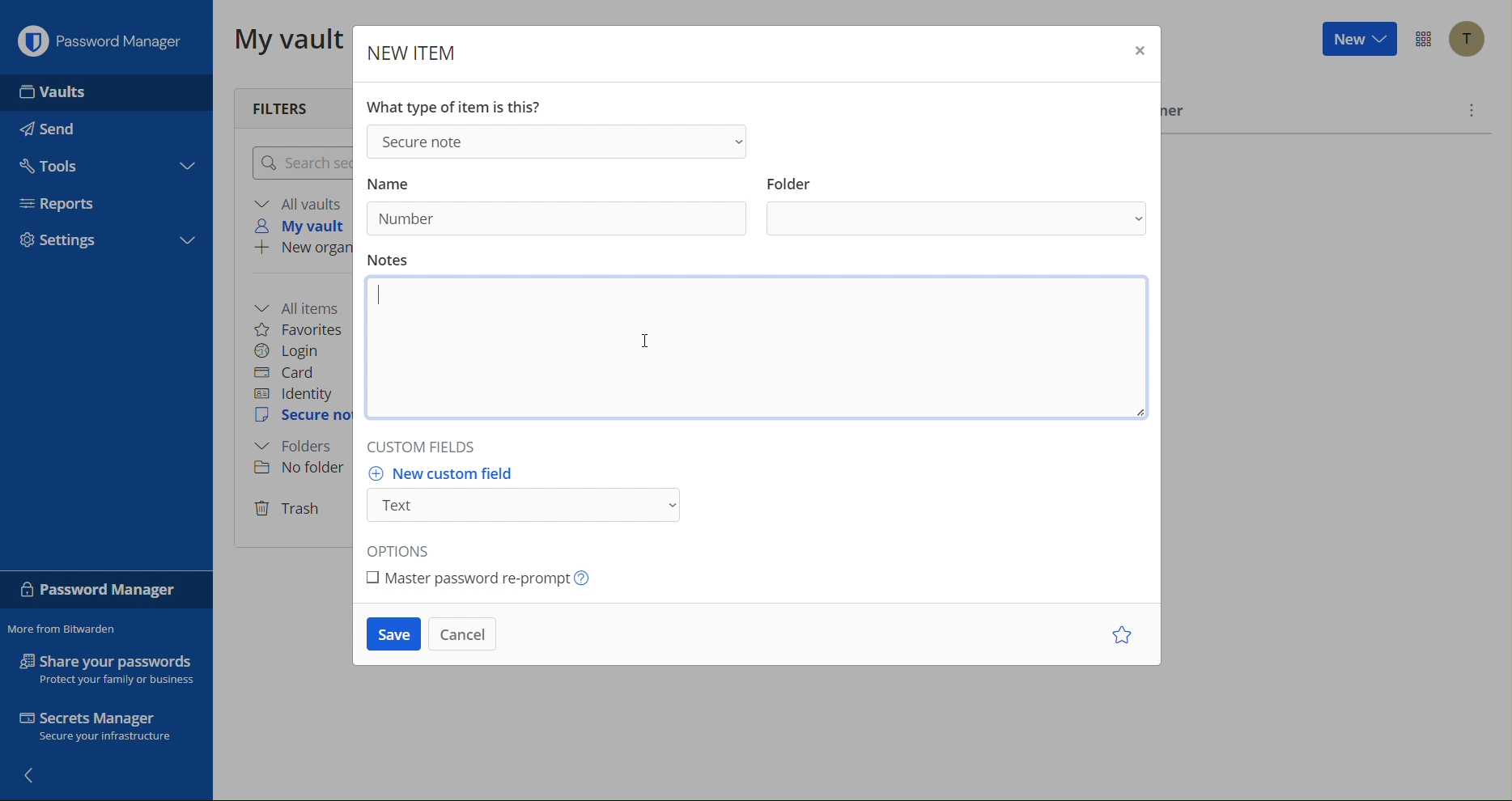 The image size is (1512, 801). Describe the element at coordinates (101, 38) in the screenshot. I see `Password Manager` at that location.